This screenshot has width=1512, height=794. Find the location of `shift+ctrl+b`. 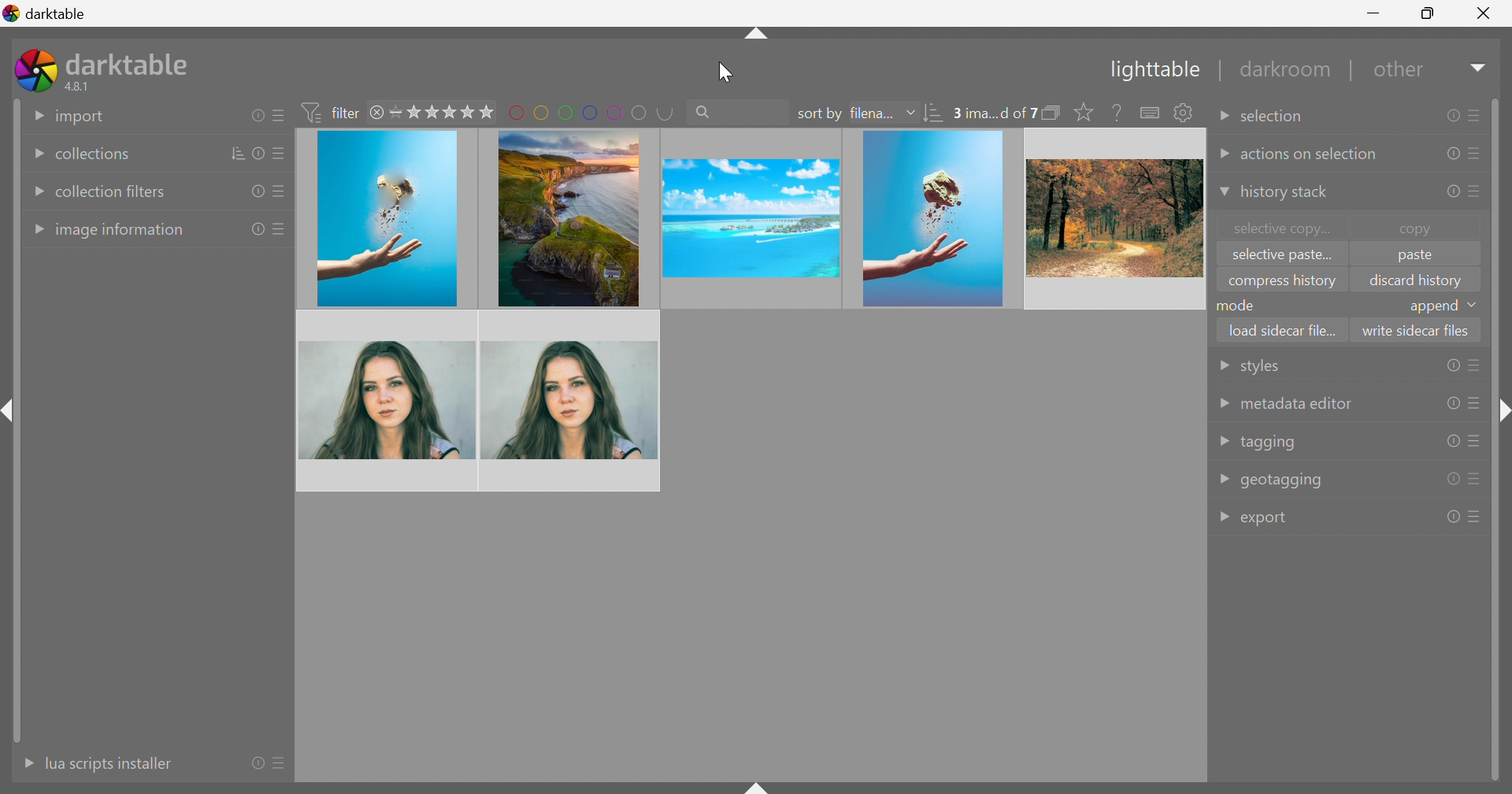

shift+ctrl+b is located at coordinates (758, 785).